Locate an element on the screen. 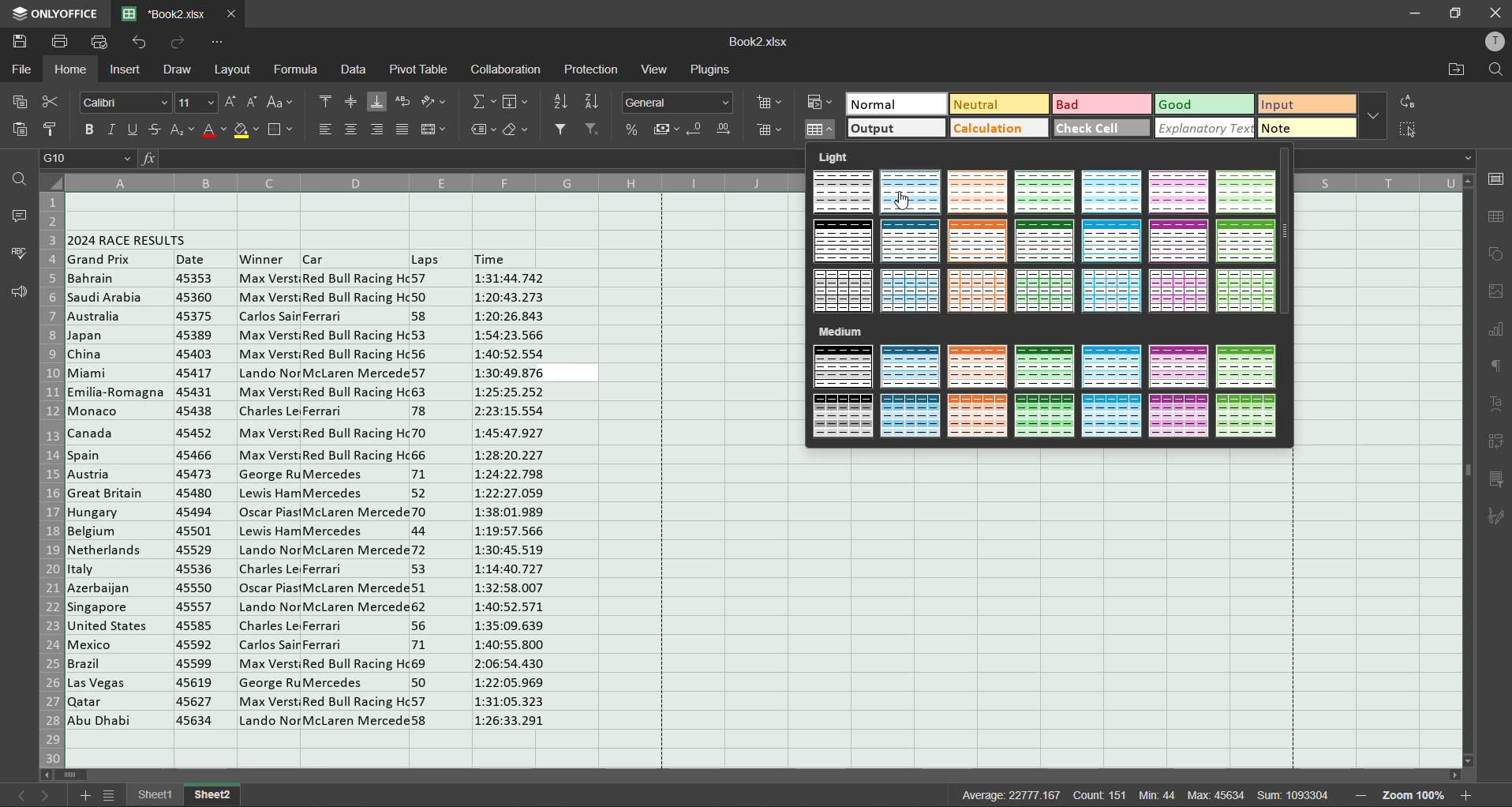 Image resolution: width=1512 pixels, height=807 pixels. change case is located at coordinates (279, 103).